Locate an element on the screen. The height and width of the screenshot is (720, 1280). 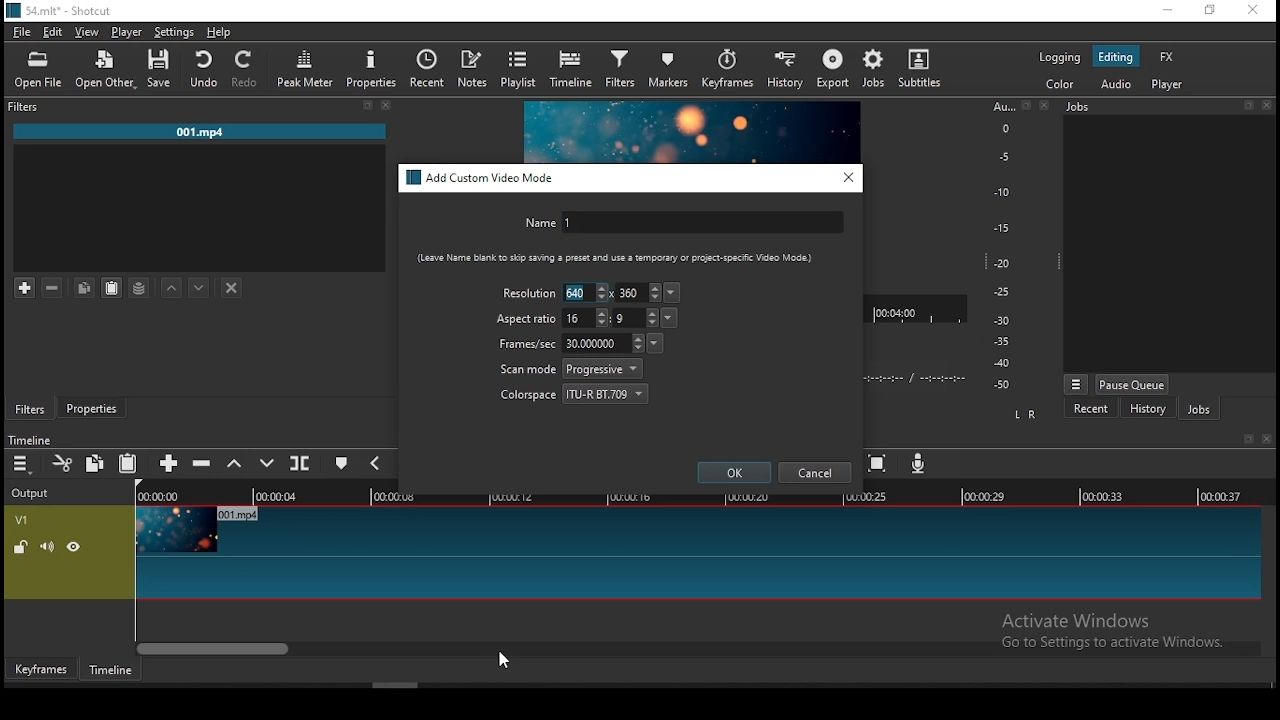
icon and file name is located at coordinates (62, 9).